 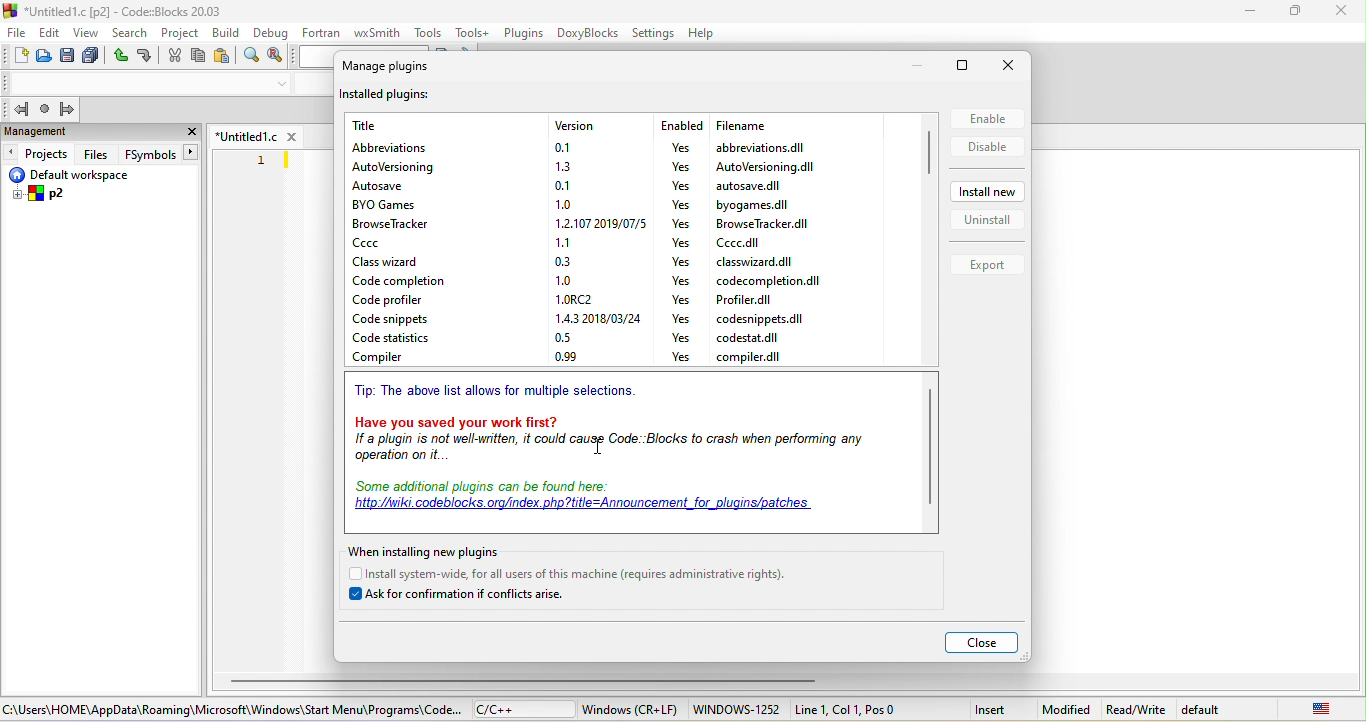 What do you see at coordinates (751, 356) in the screenshot?
I see `compiler` at bounding box center [751, 356].